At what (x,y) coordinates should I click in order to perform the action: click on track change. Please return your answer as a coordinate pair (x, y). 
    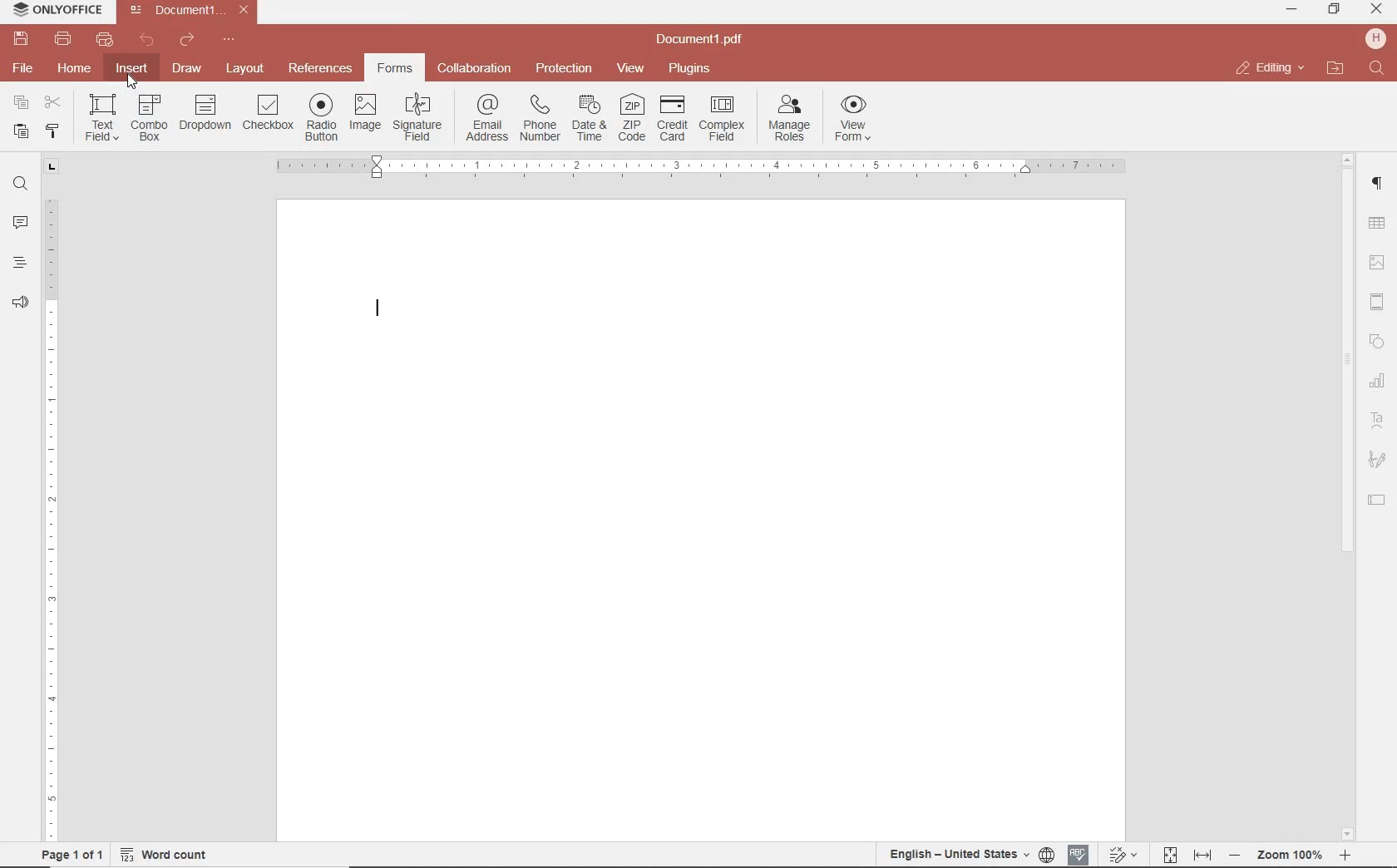
    Looking at the image, I should click on (1121, 856).